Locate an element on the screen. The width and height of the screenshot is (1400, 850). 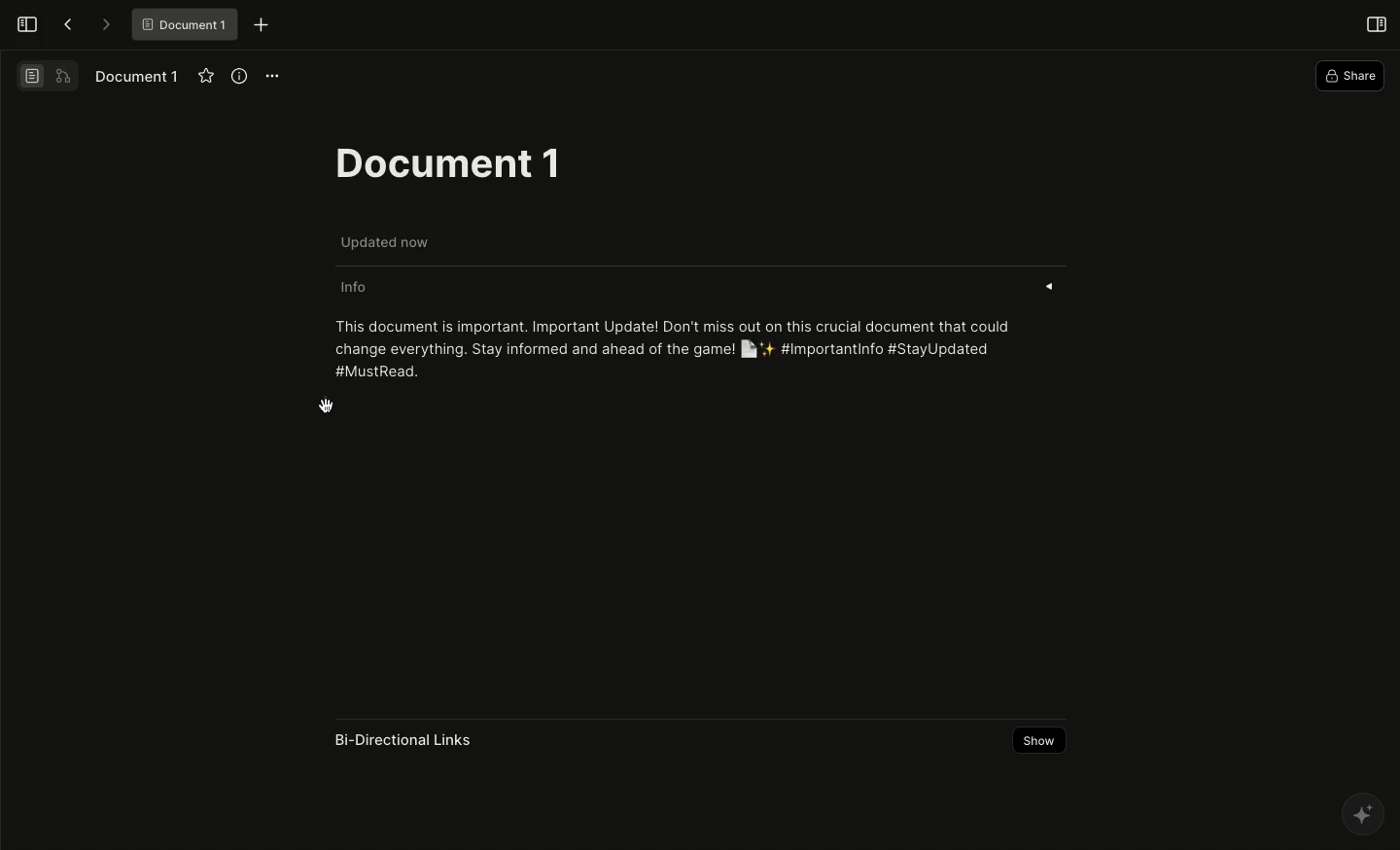
Share is located at coordinates (1347, 76).